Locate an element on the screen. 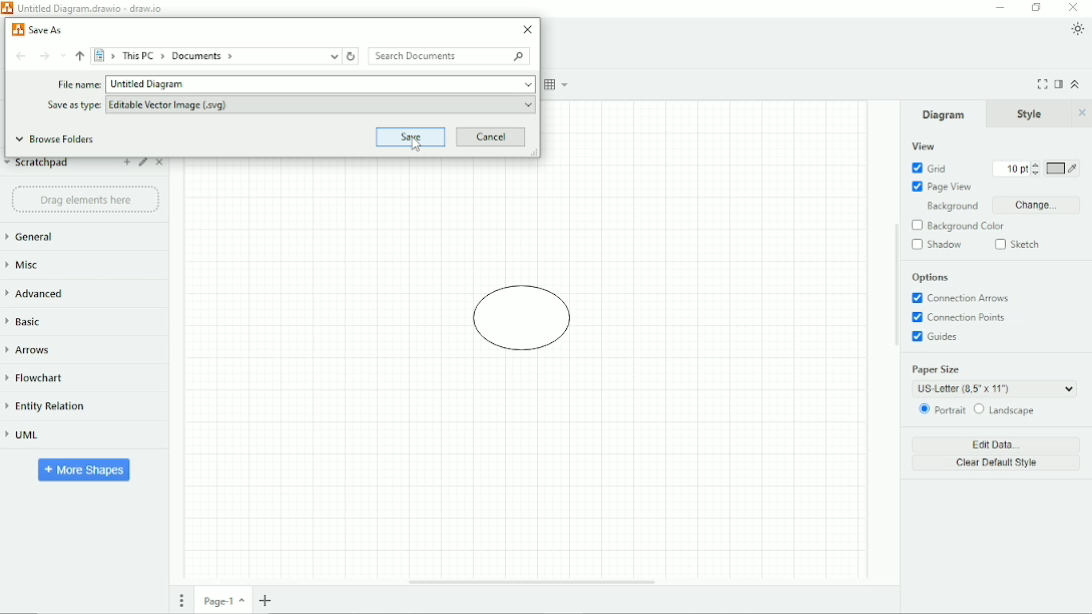  Table is located at coordinates (558, 85).